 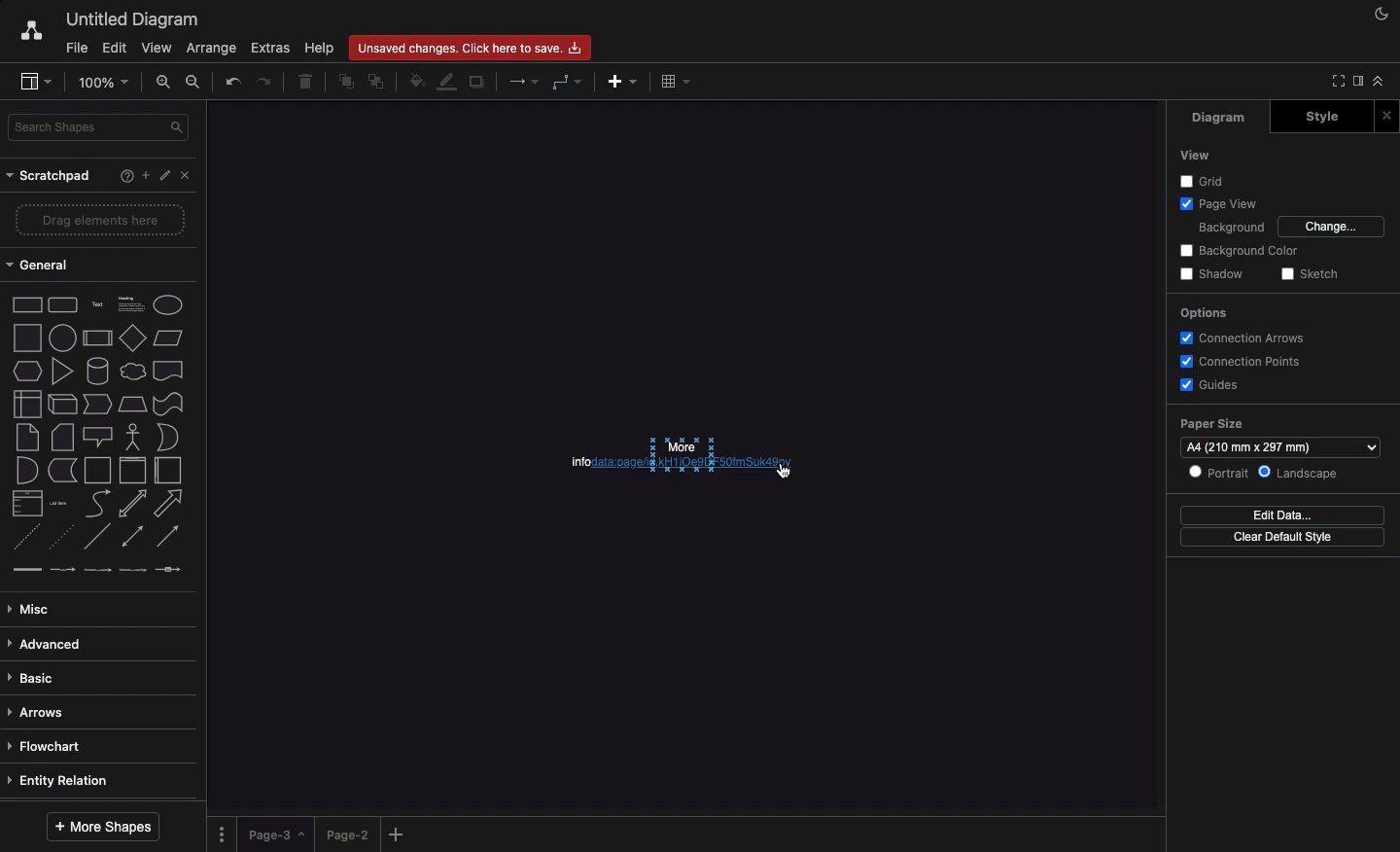 I want to click on cylinder, so click(x=98, y=371).